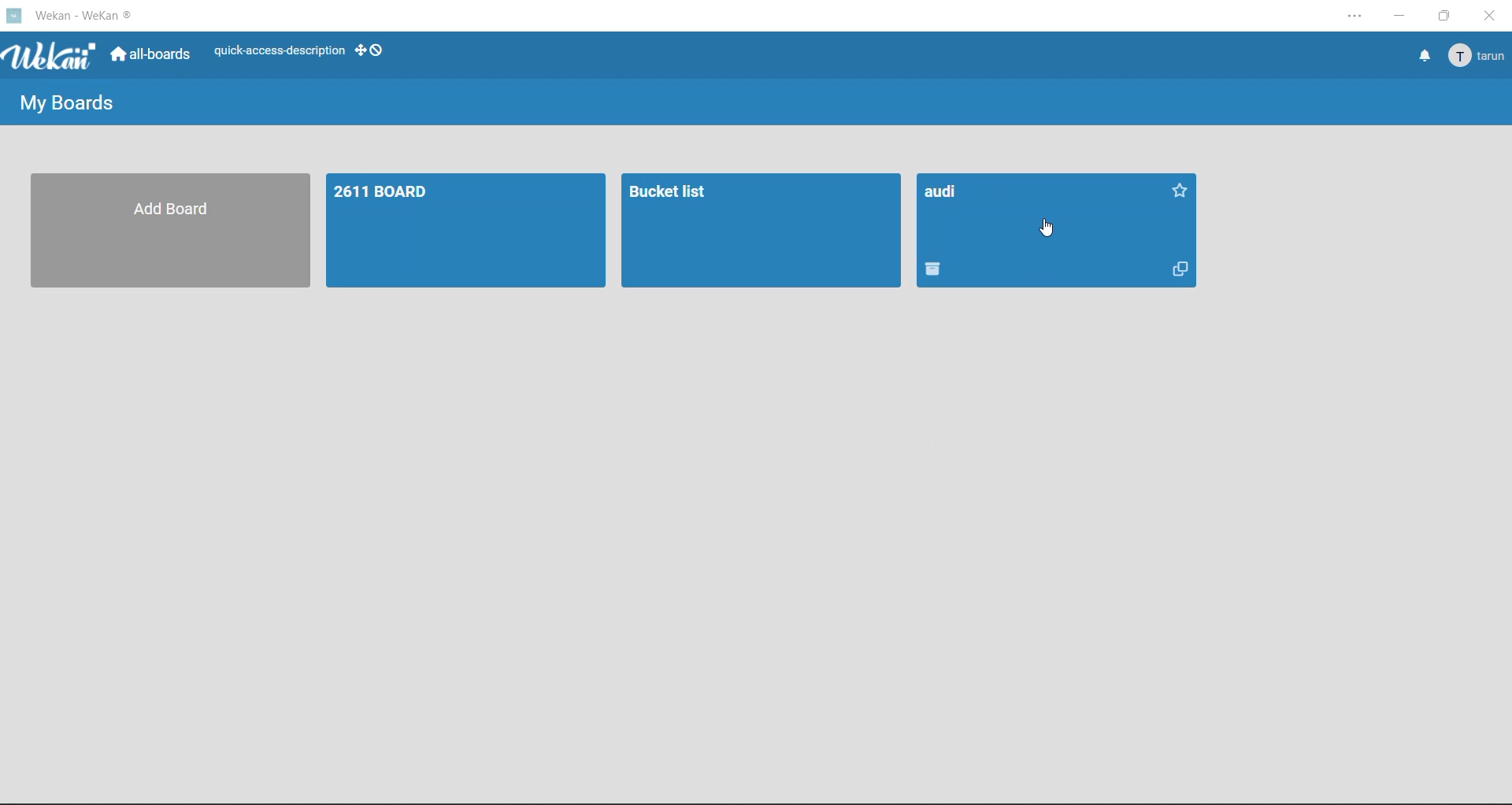  I want to click on Delete, so click(939, 272).